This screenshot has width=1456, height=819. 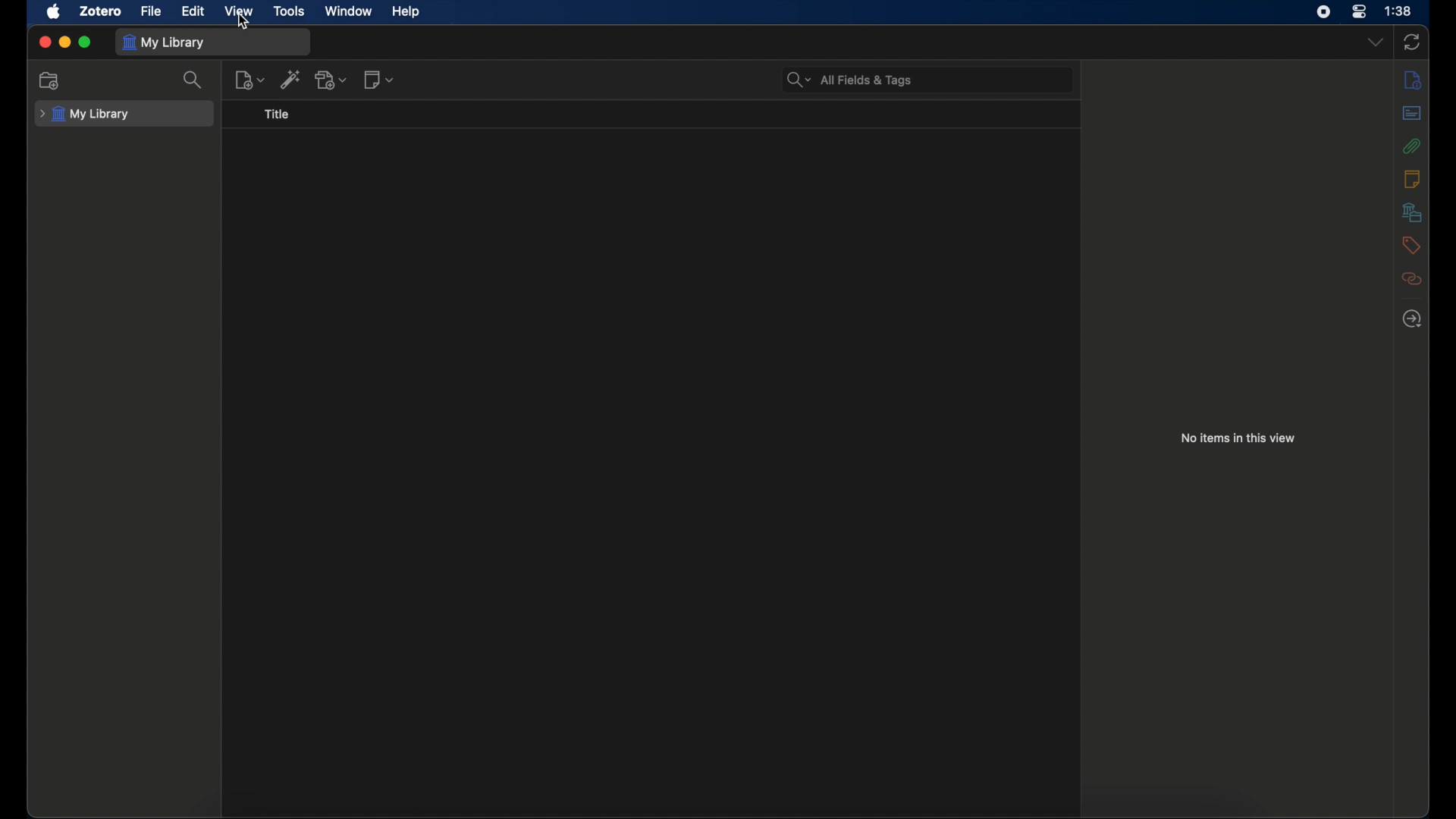 I want to click on apple icon, so click(x=55, y=12).